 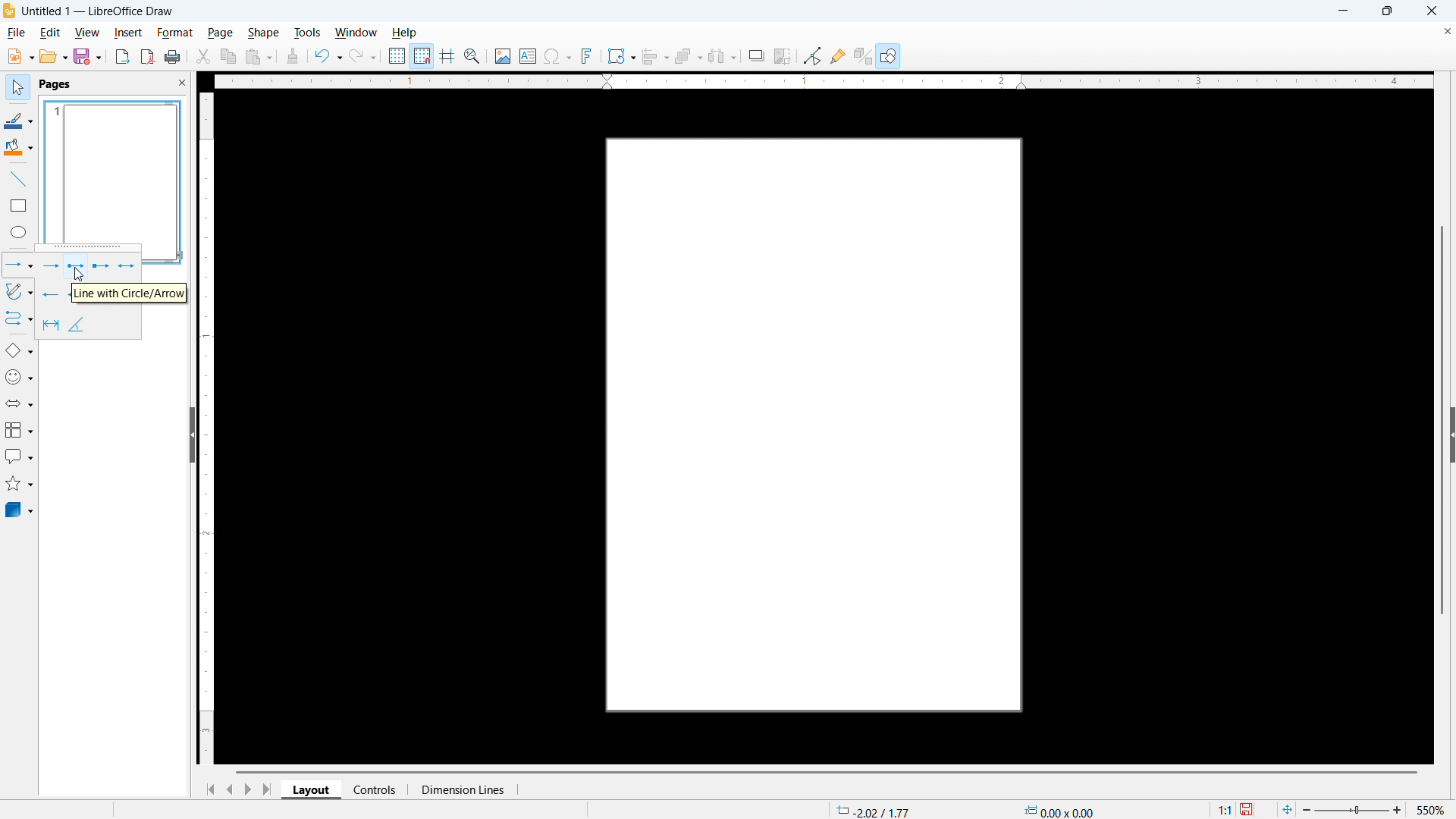 What do you see at coordinates (1442, 420) in the screenshot?
I see `Vertical scroll bar ` at bounding box center [1442, 420].